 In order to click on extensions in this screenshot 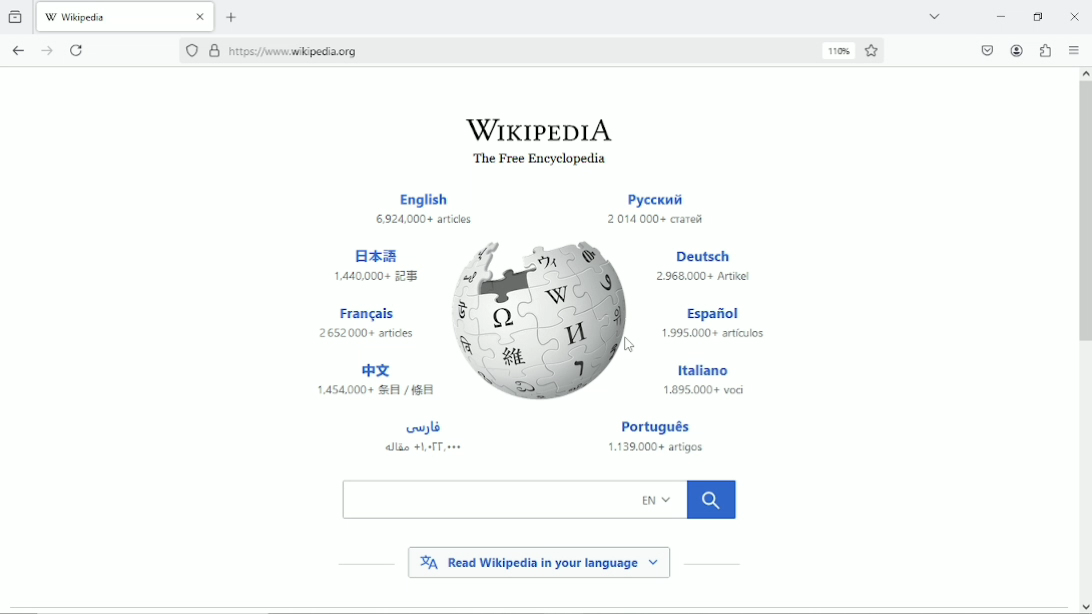, I will do `click(1046, 50)`.